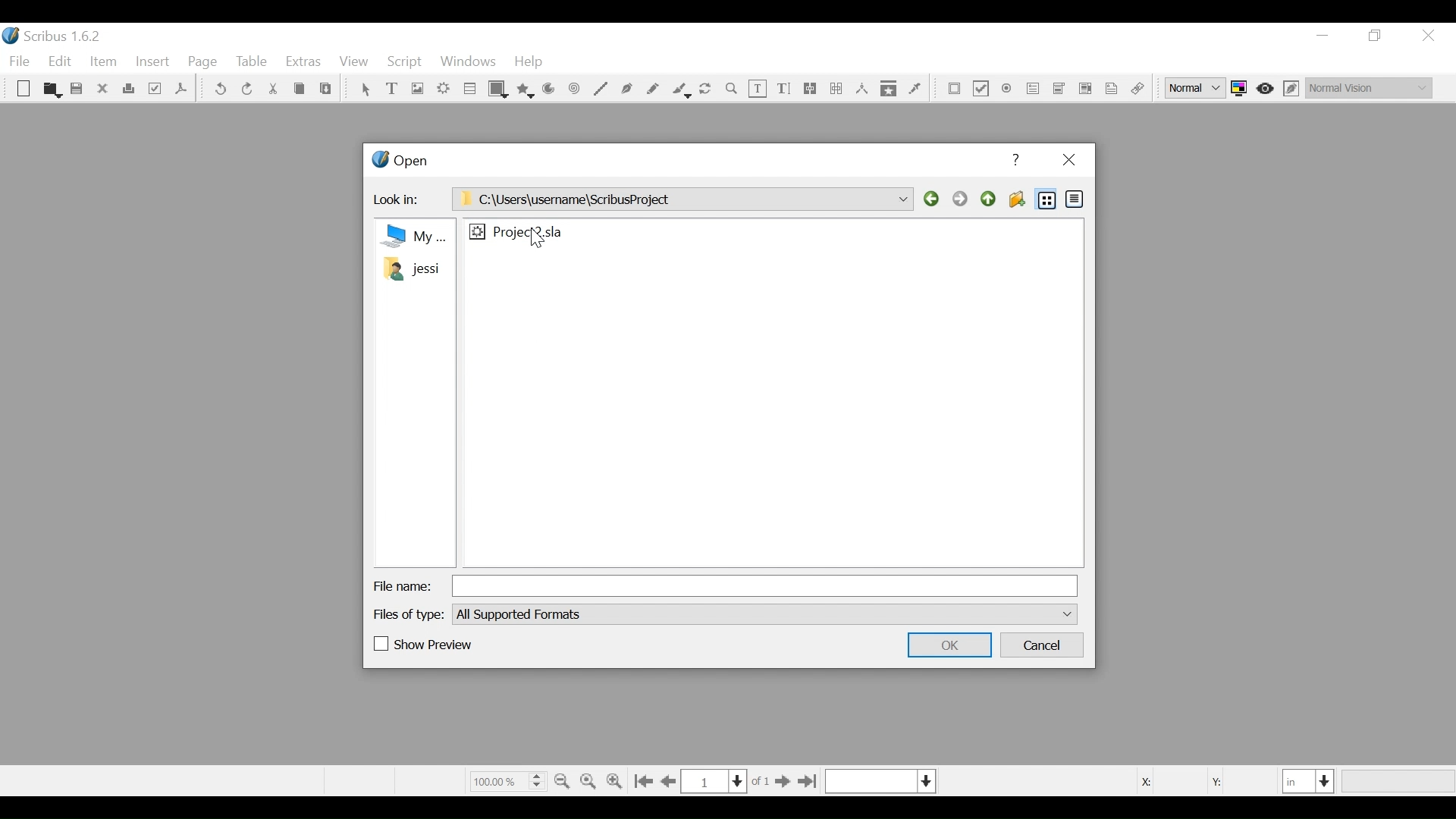 The width and height of the screenshot is (1456, 819). Describe the element at coordinates (955, 89) in the screenshot. I see `PDF Push Button` at that location.